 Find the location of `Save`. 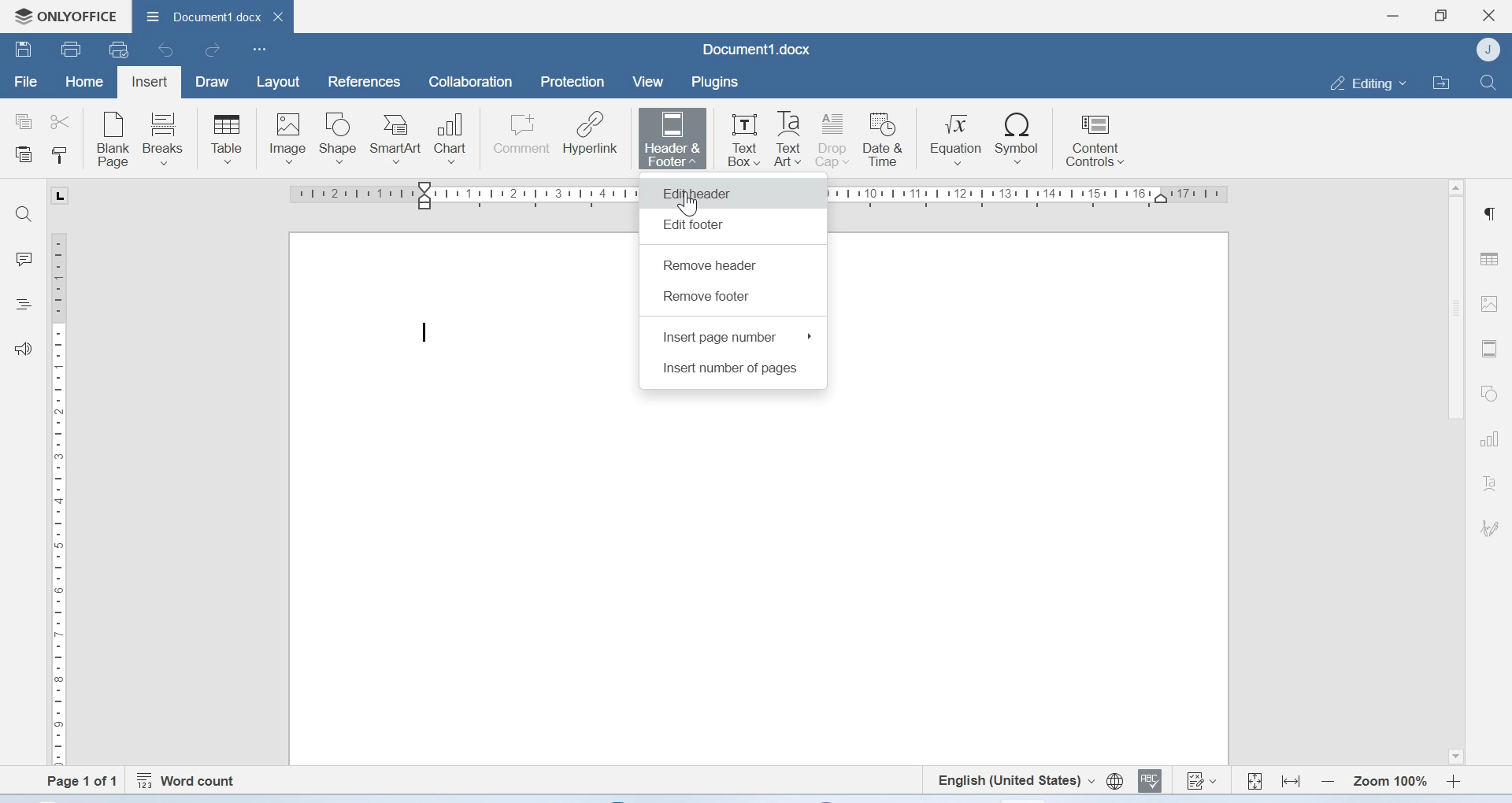

Save is located at coordinates (24, 51).